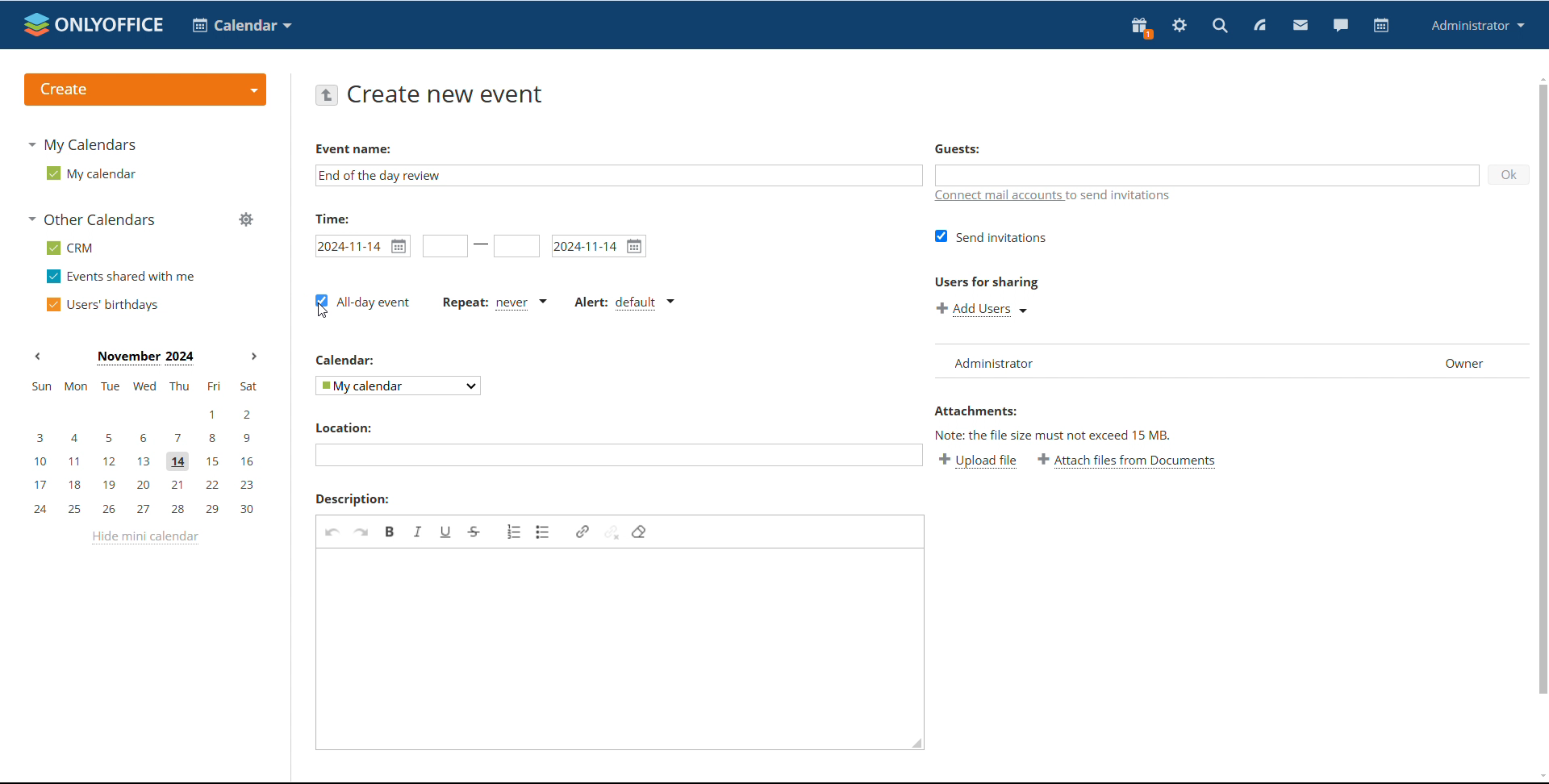 The width and height of the screenshot is (1549, 784). What do you see at coordinates (242, 25) in the screenshot?
I see `calendar` at bounding box center [242, 25].